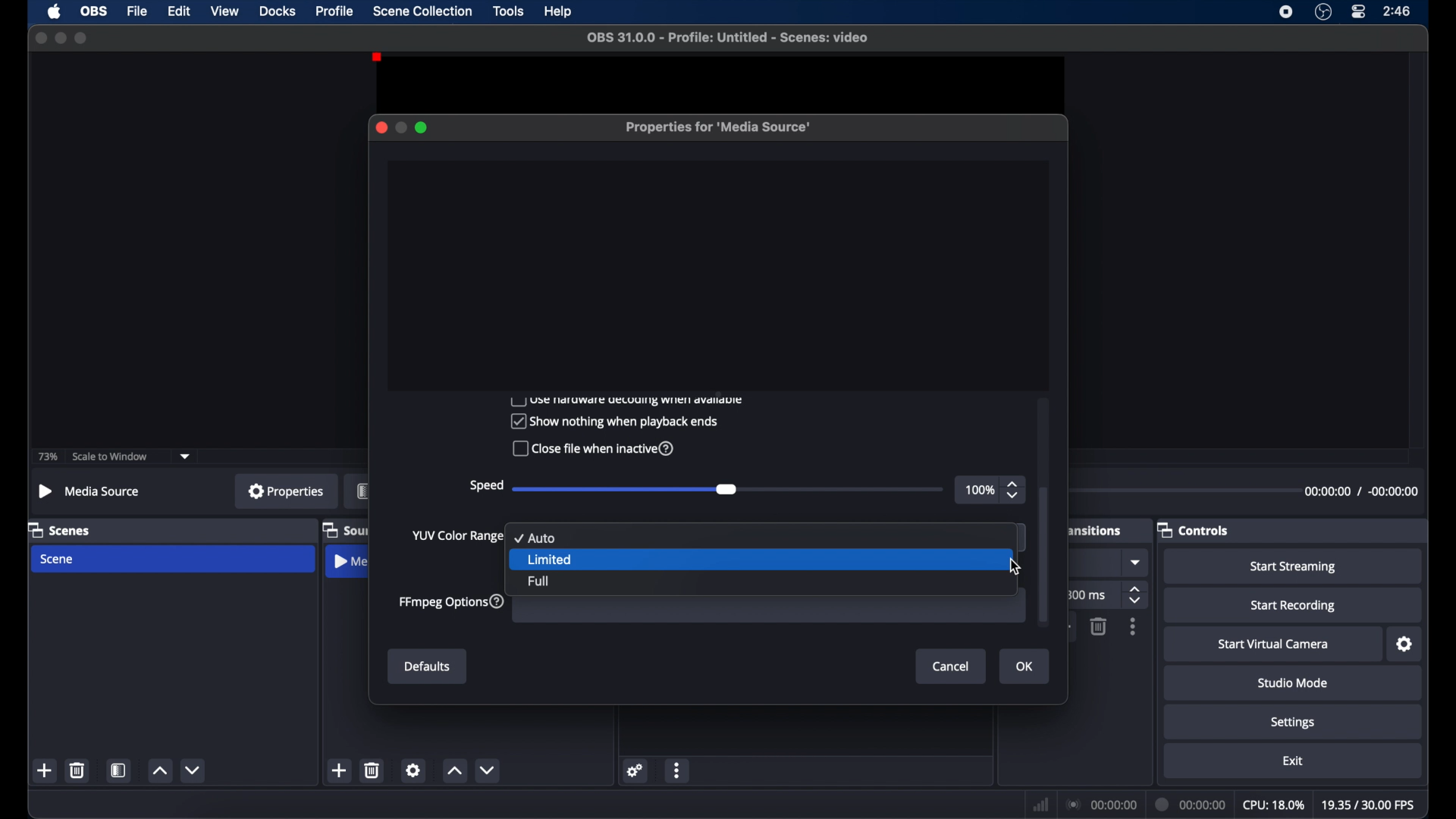 The width and height of the screenshot is (1456, 819). What do you see at coordinates (455, 772) in the screenshot?
I see `increment` at bounding box center [455, 772].